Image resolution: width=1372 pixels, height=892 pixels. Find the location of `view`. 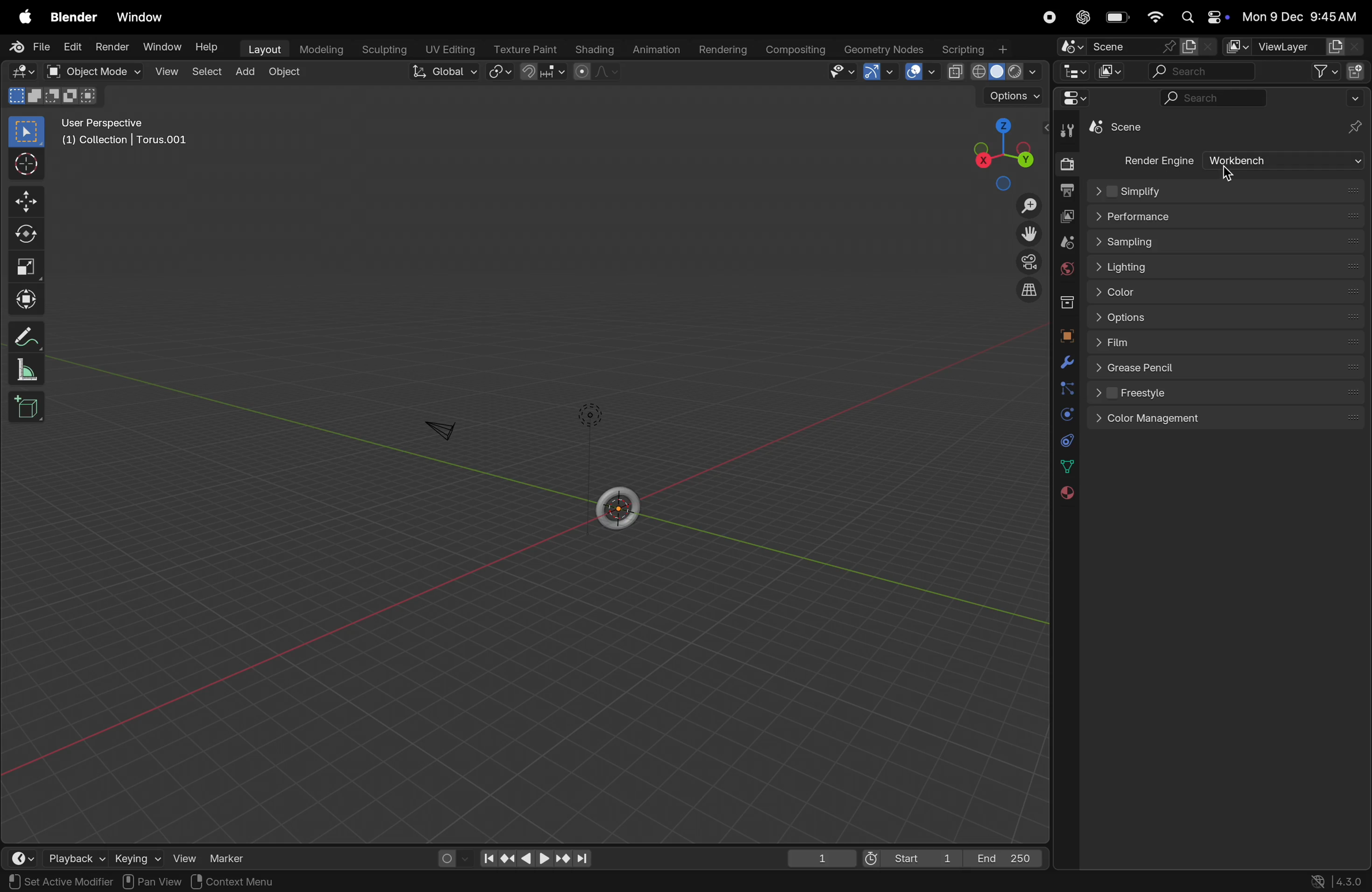

view is located at coordinates (167, 73).